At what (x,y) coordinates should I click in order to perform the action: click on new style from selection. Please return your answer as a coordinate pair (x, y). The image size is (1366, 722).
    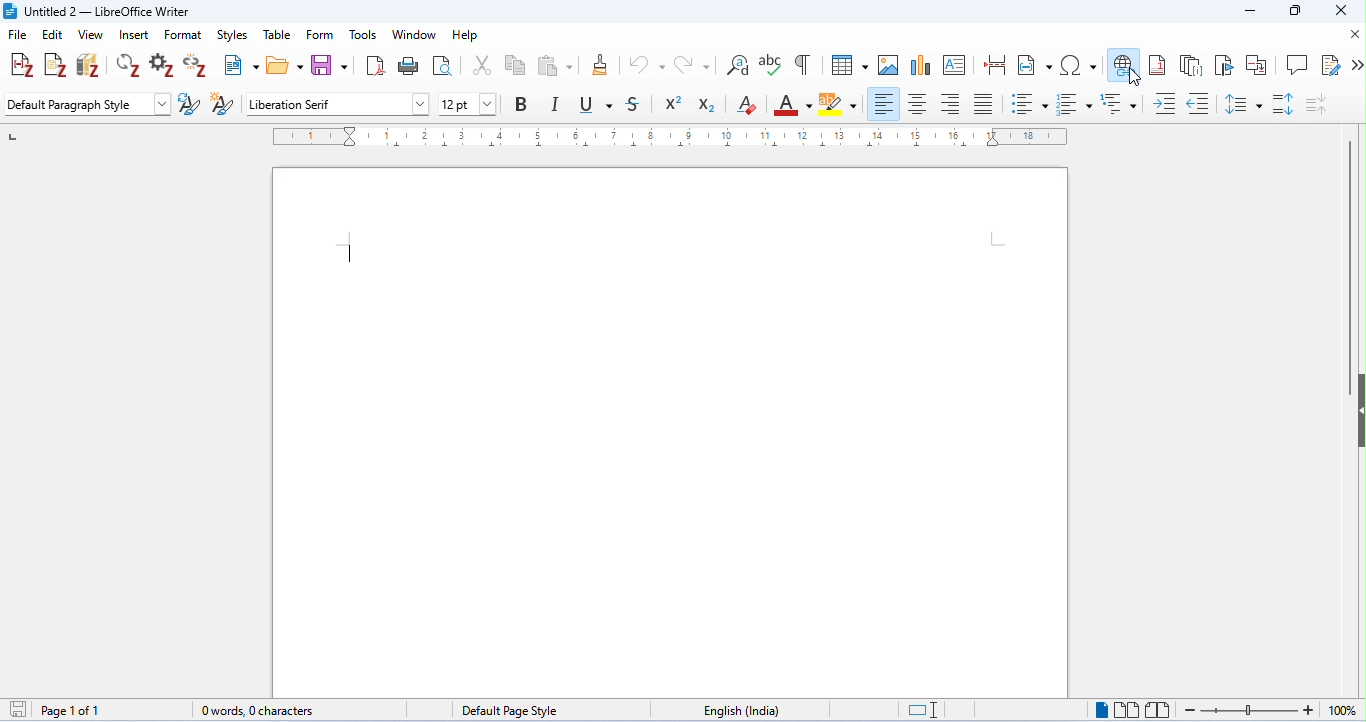
    Looking at the image, I should click on (221, 103).